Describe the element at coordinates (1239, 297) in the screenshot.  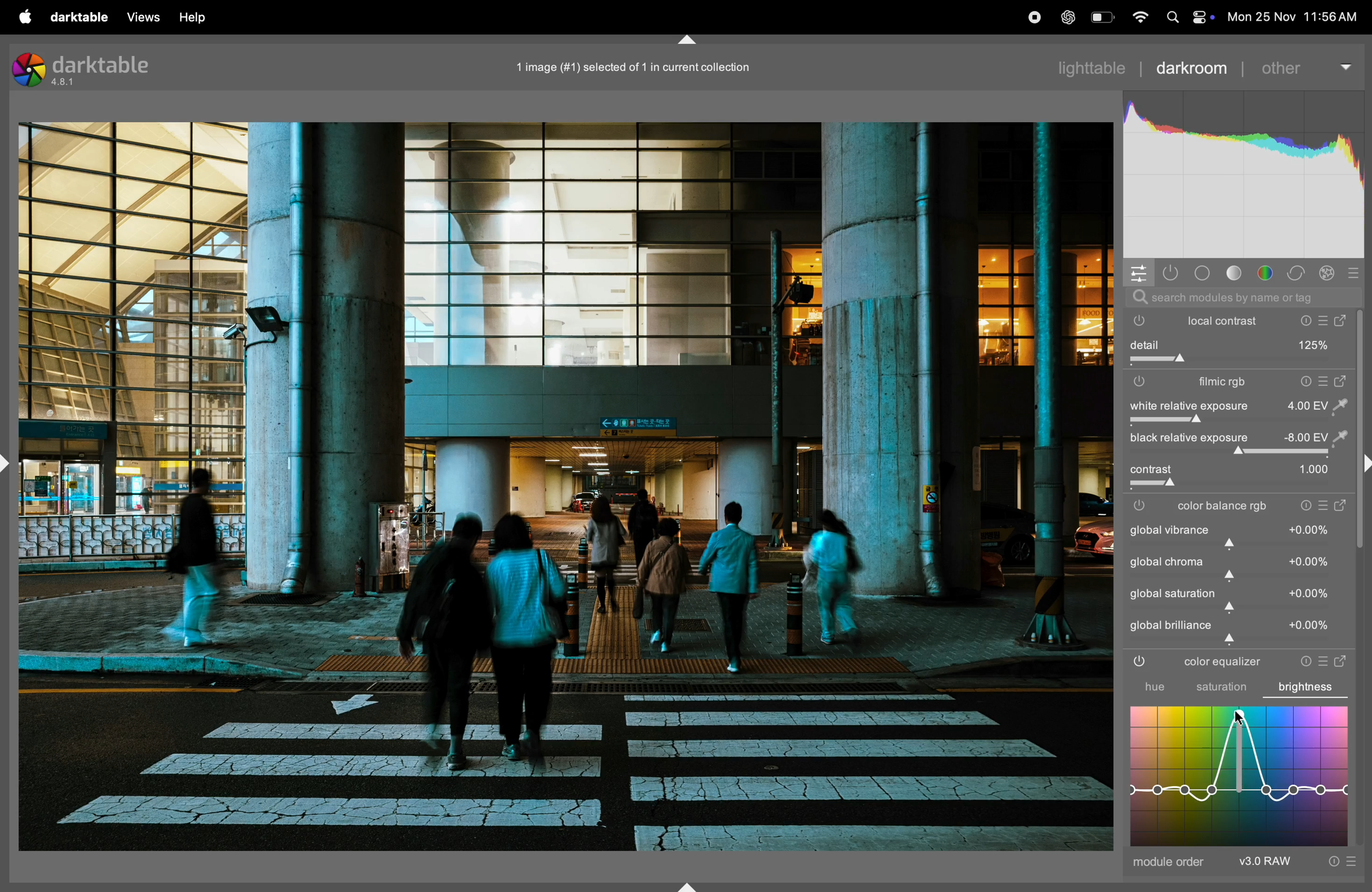
I see `search bar` at that location.